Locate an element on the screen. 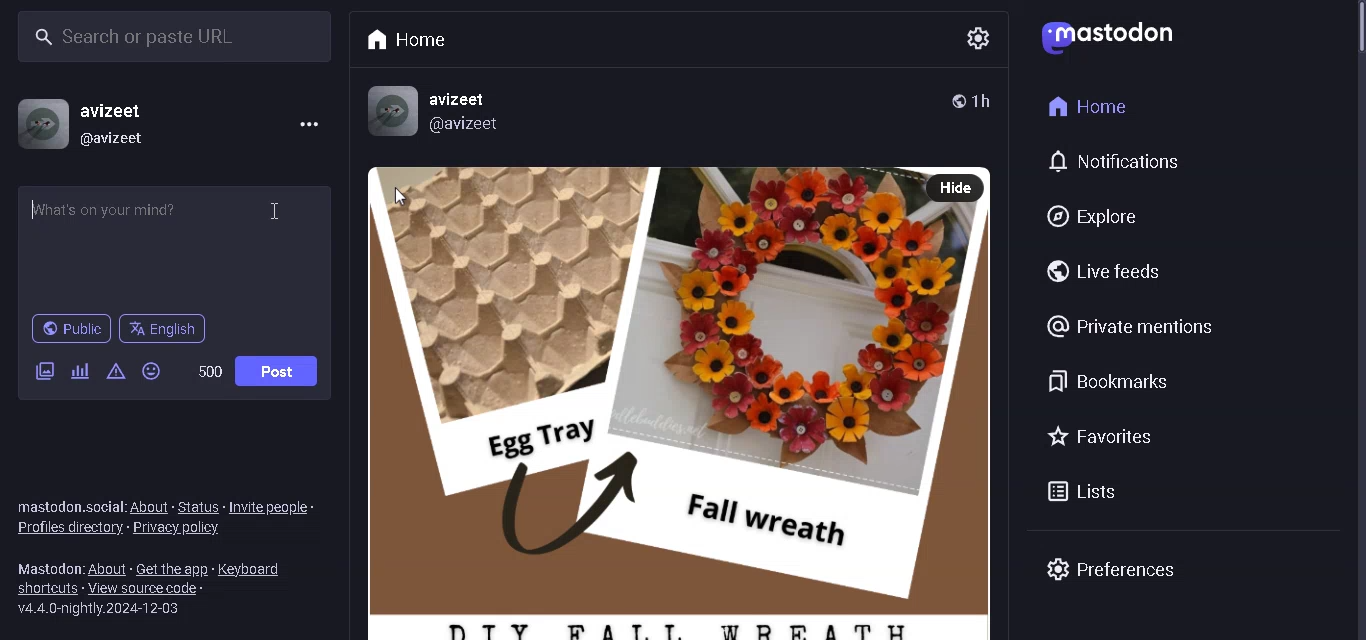 Image resolution: width=1366 pixels, height=640 pixels. LISTS is located at coordinates (1075, 495).